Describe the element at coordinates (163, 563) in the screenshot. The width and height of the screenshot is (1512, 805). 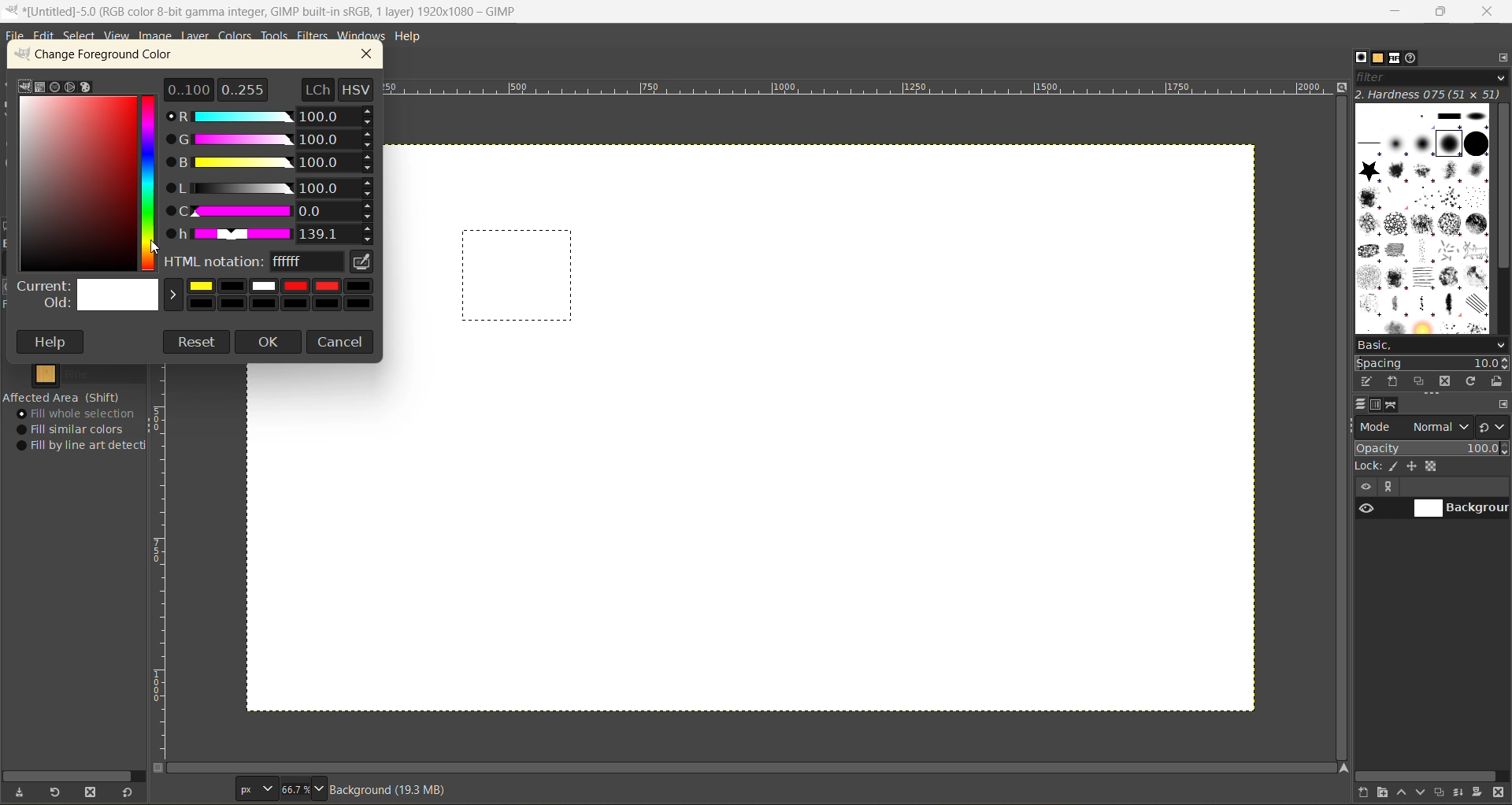
I see `scale` at that location.